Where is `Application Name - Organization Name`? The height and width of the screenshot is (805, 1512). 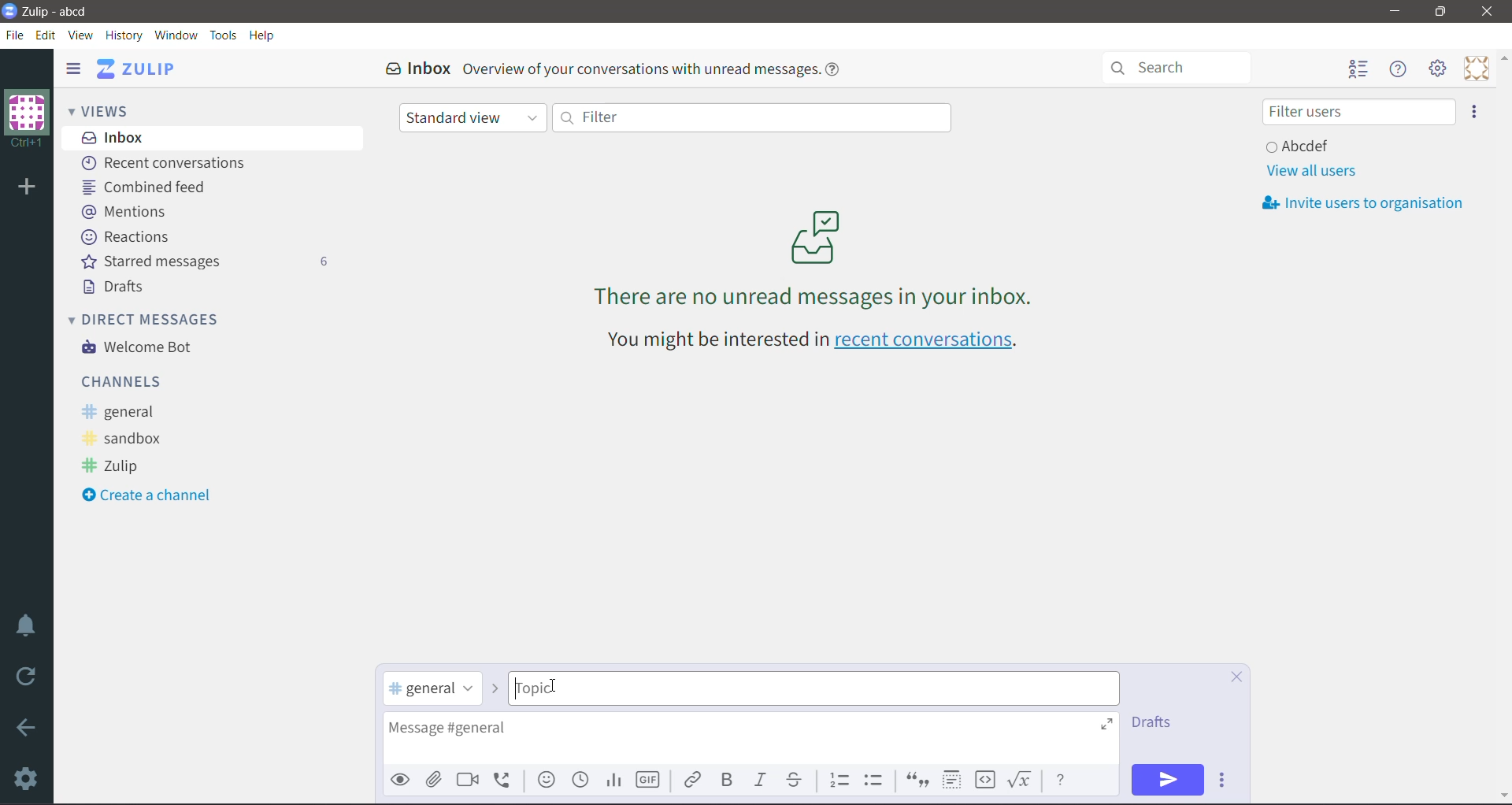
Application Name - Organization Name is located at coordinates (65, 11).